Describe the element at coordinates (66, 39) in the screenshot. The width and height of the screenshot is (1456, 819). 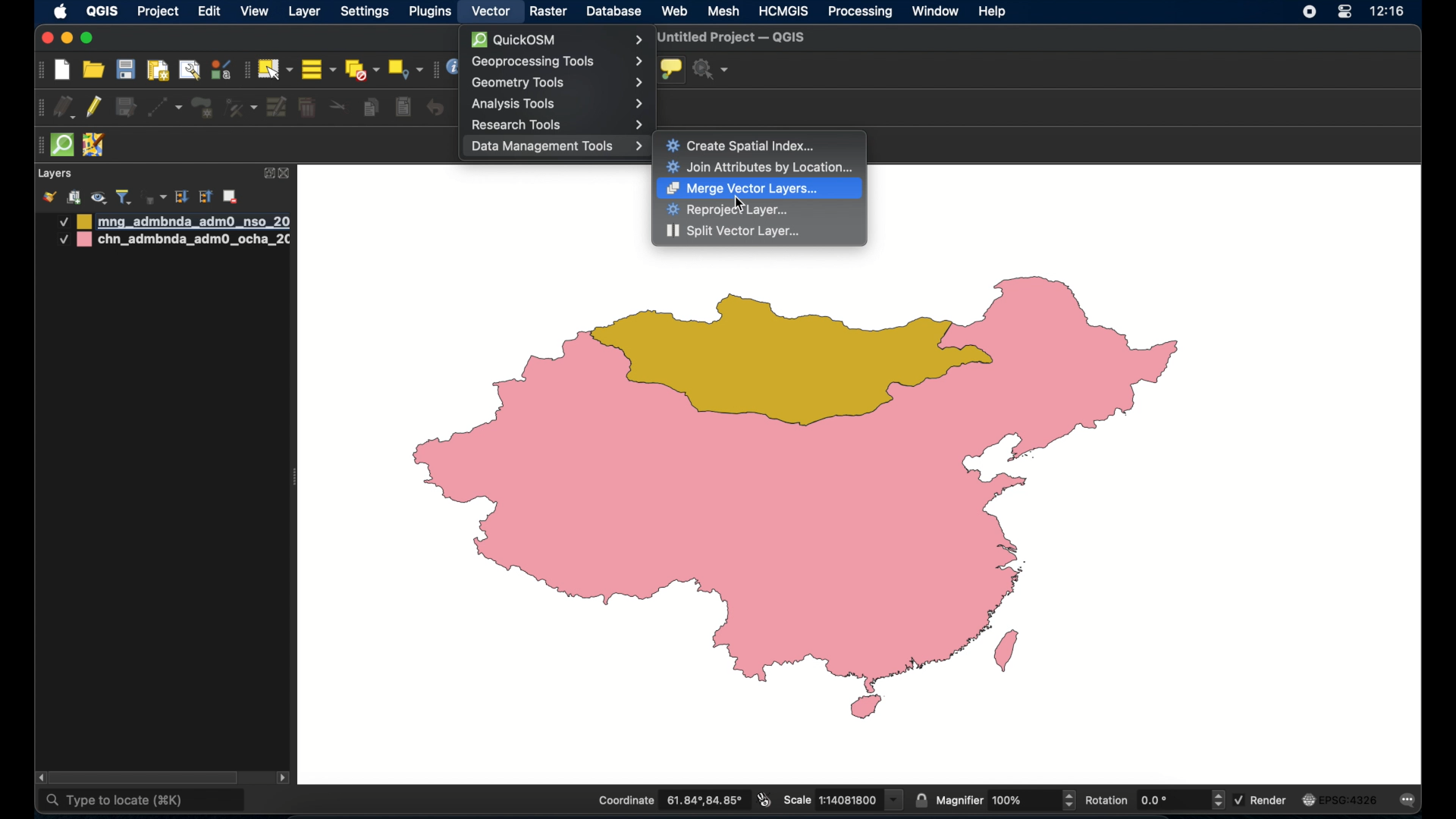
I see `minimize` at that location.